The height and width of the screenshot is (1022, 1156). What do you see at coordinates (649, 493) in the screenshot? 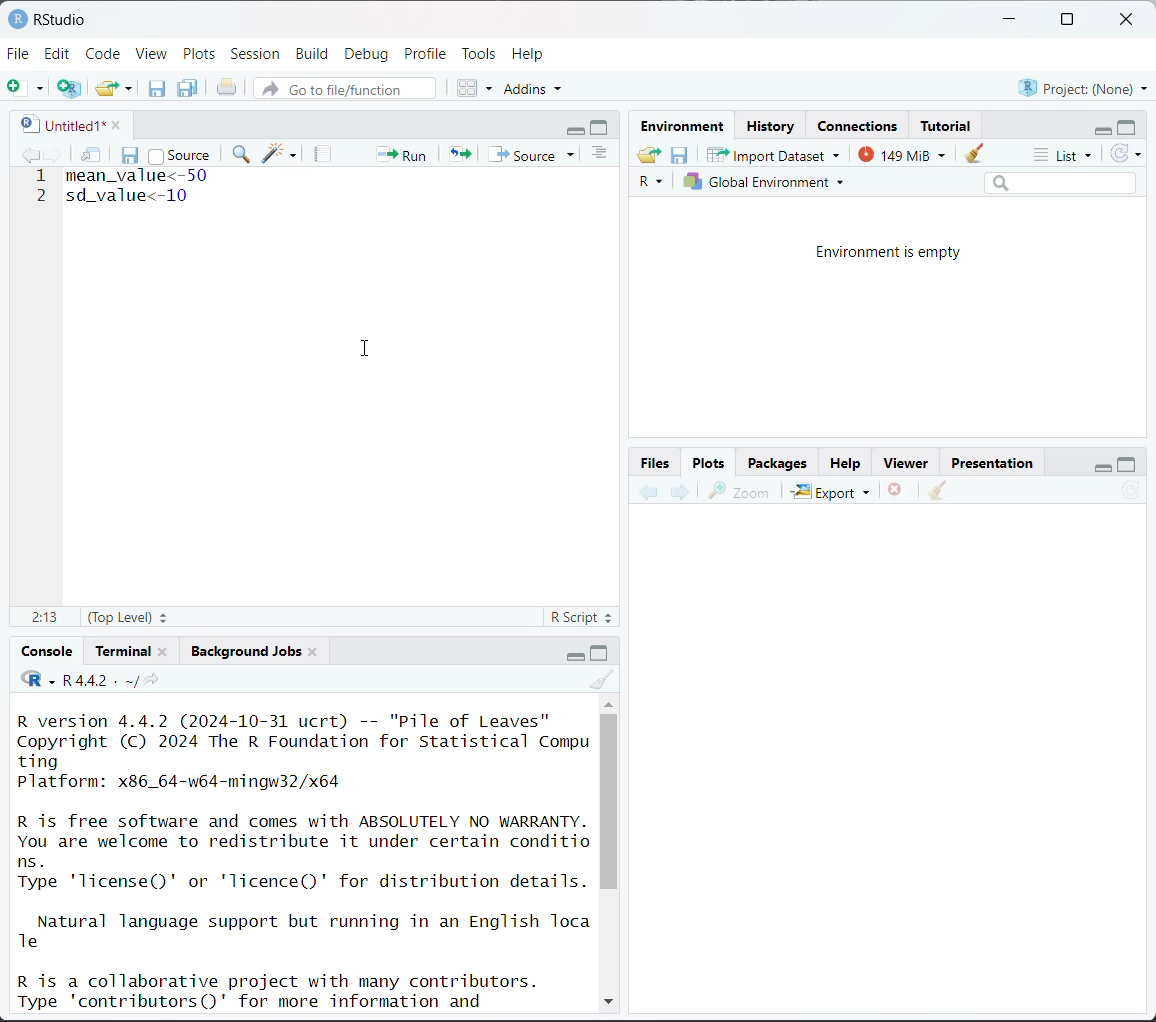
I see `previous plot` at bounding box center [649, 493].